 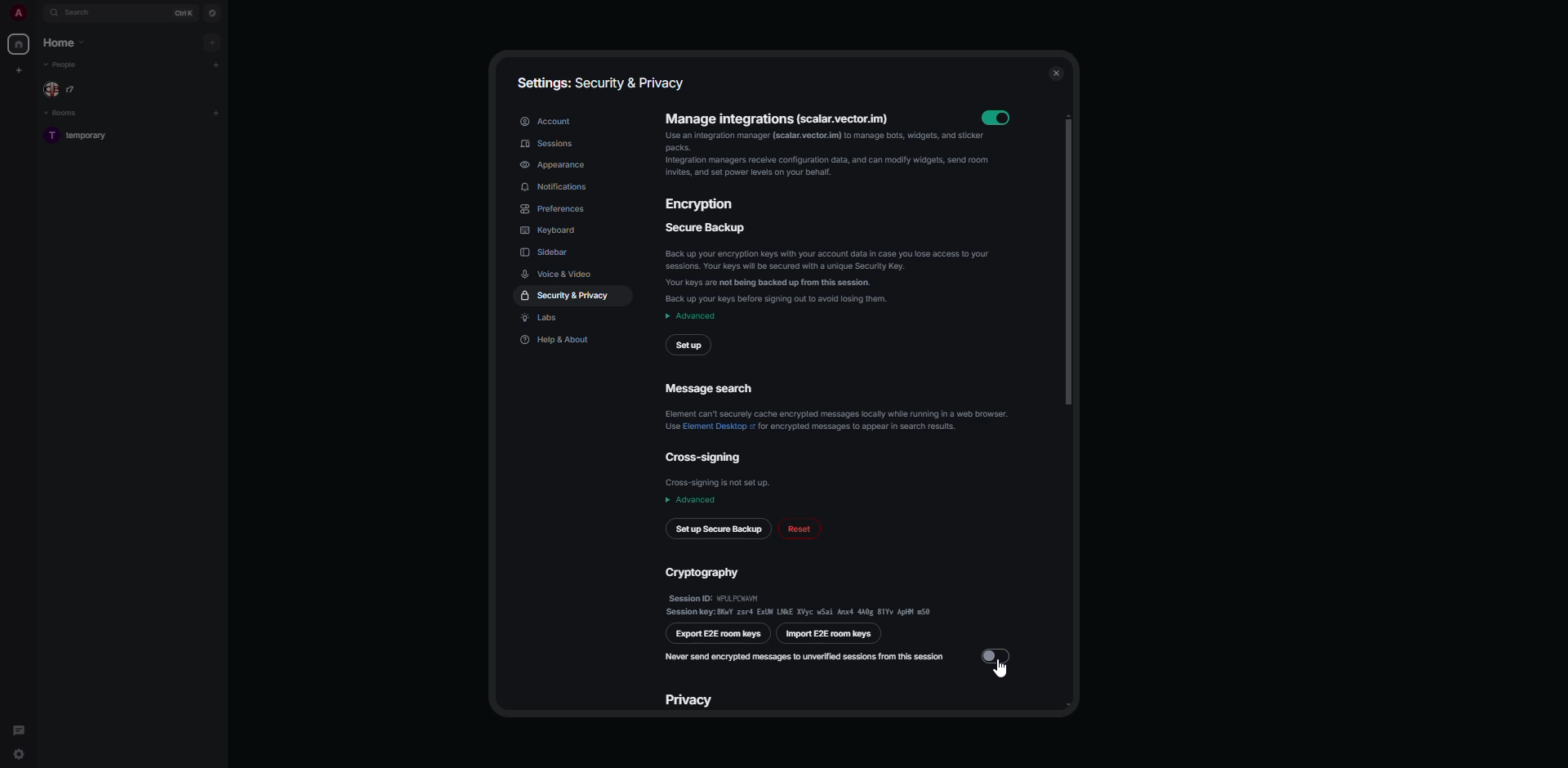 I want to click on sessions, so click(x=550, y=145).